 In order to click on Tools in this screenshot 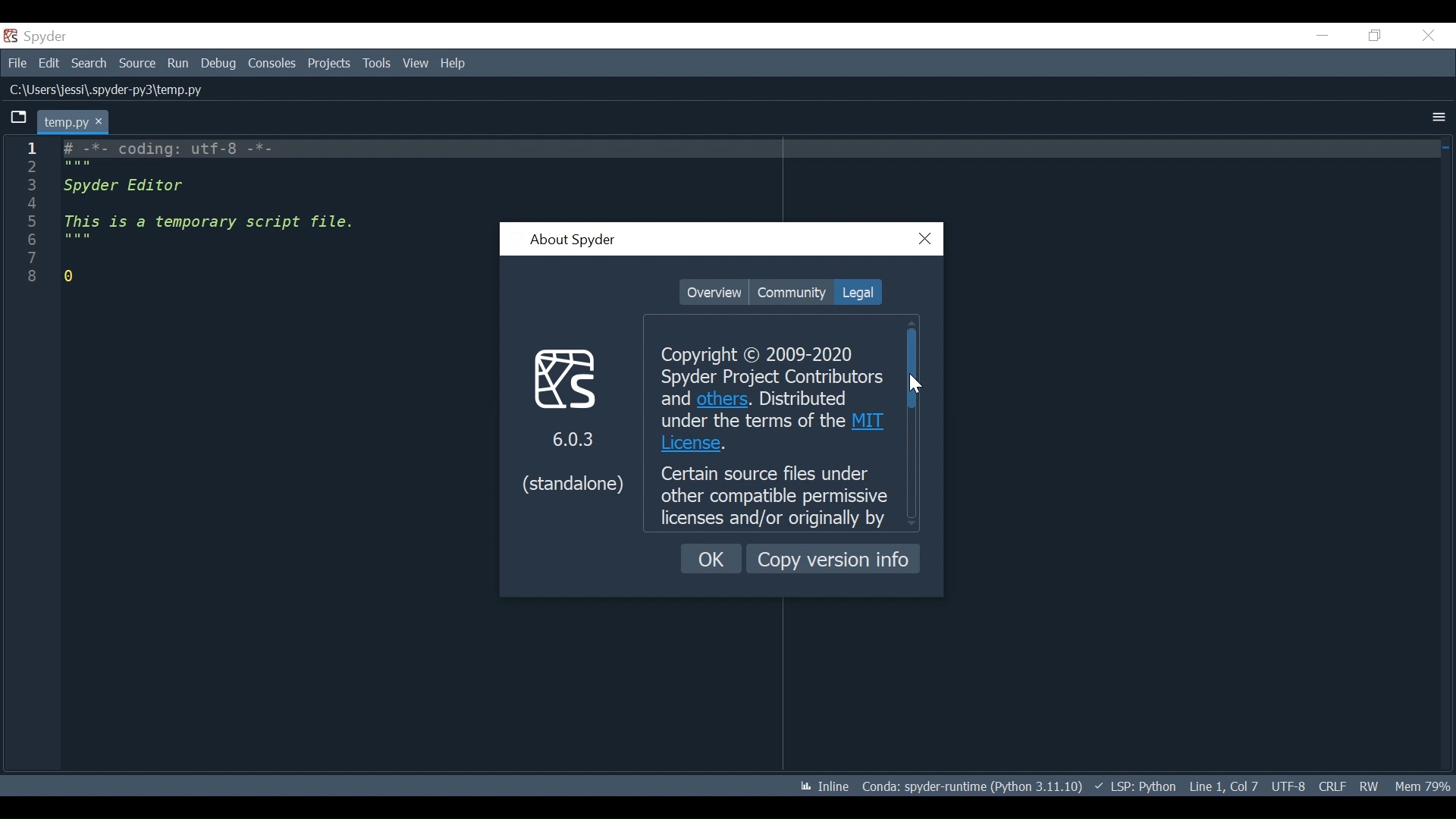, I will do `click(378, 64)`.